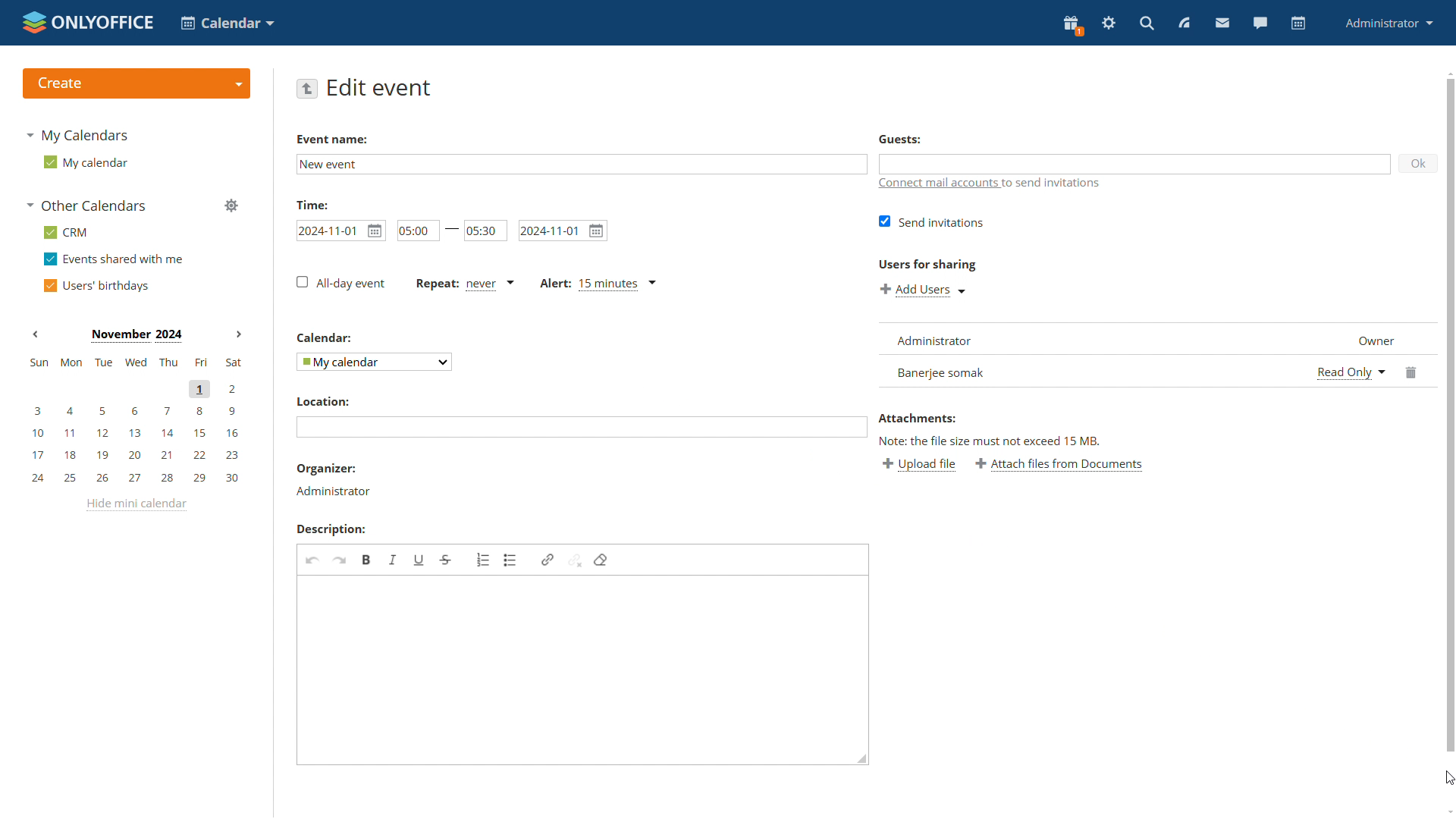 This screenshot has height=819, width=1456. What do you see at coordinates (333, 491) in the screenshot?
I see `host` at bounding box center [333, 491].